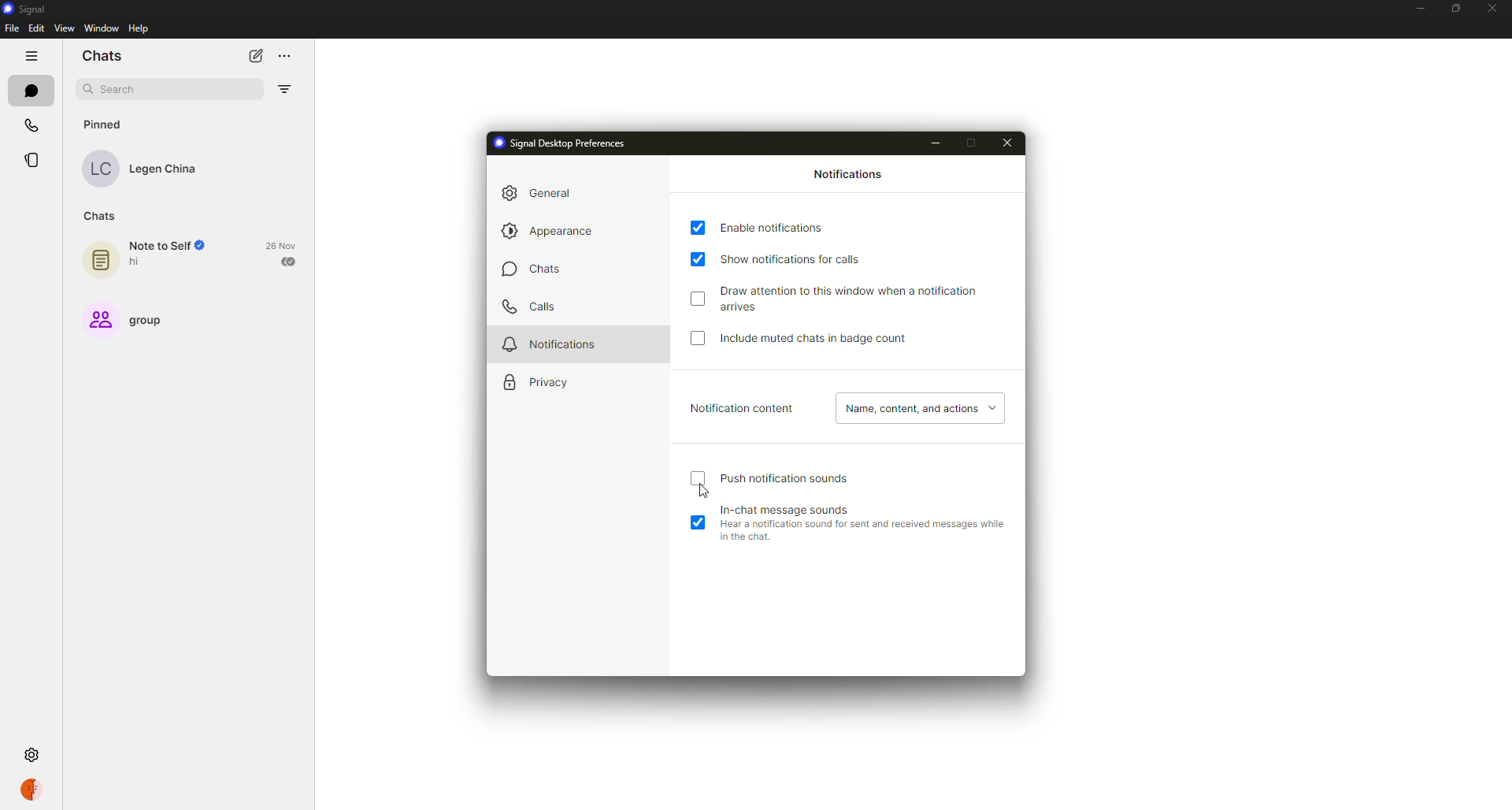 The width and height of the screenshot is (1512, 810). What do you see at coordinates (543, 192) in the screenshot?
I see `general` at bounding box center [543, 192].